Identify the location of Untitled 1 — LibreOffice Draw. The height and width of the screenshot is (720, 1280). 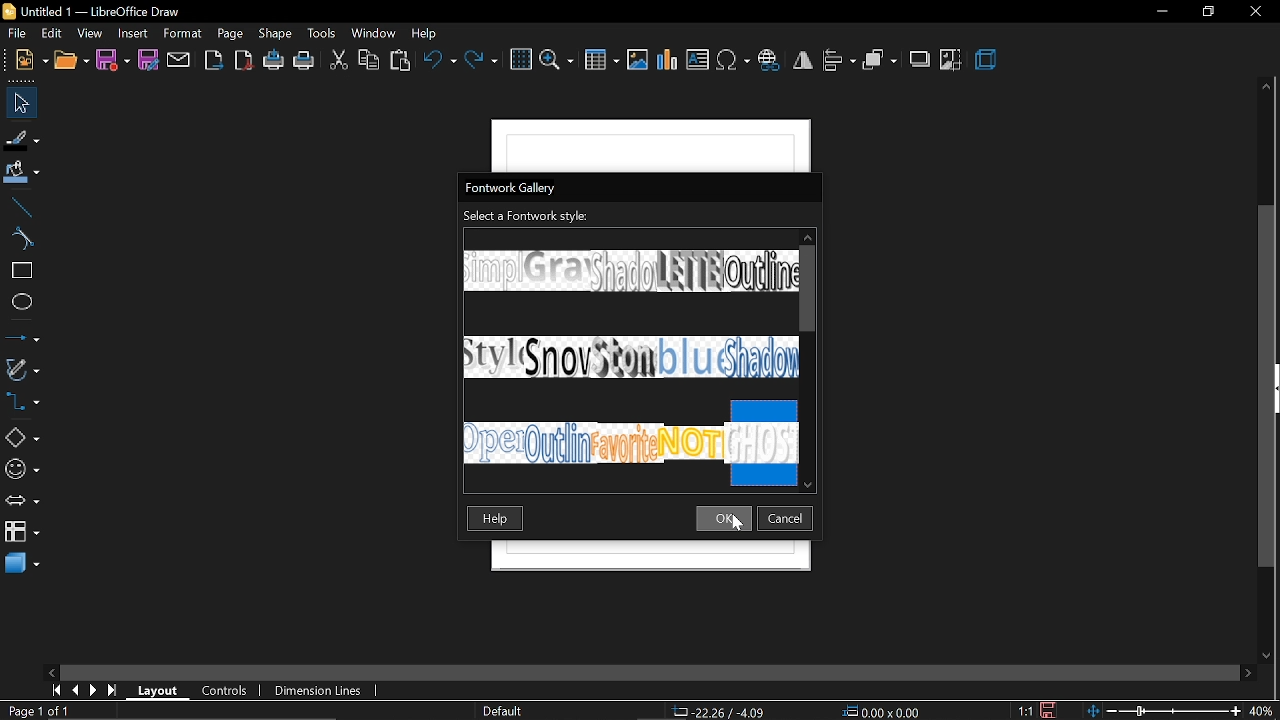
(103, 11).